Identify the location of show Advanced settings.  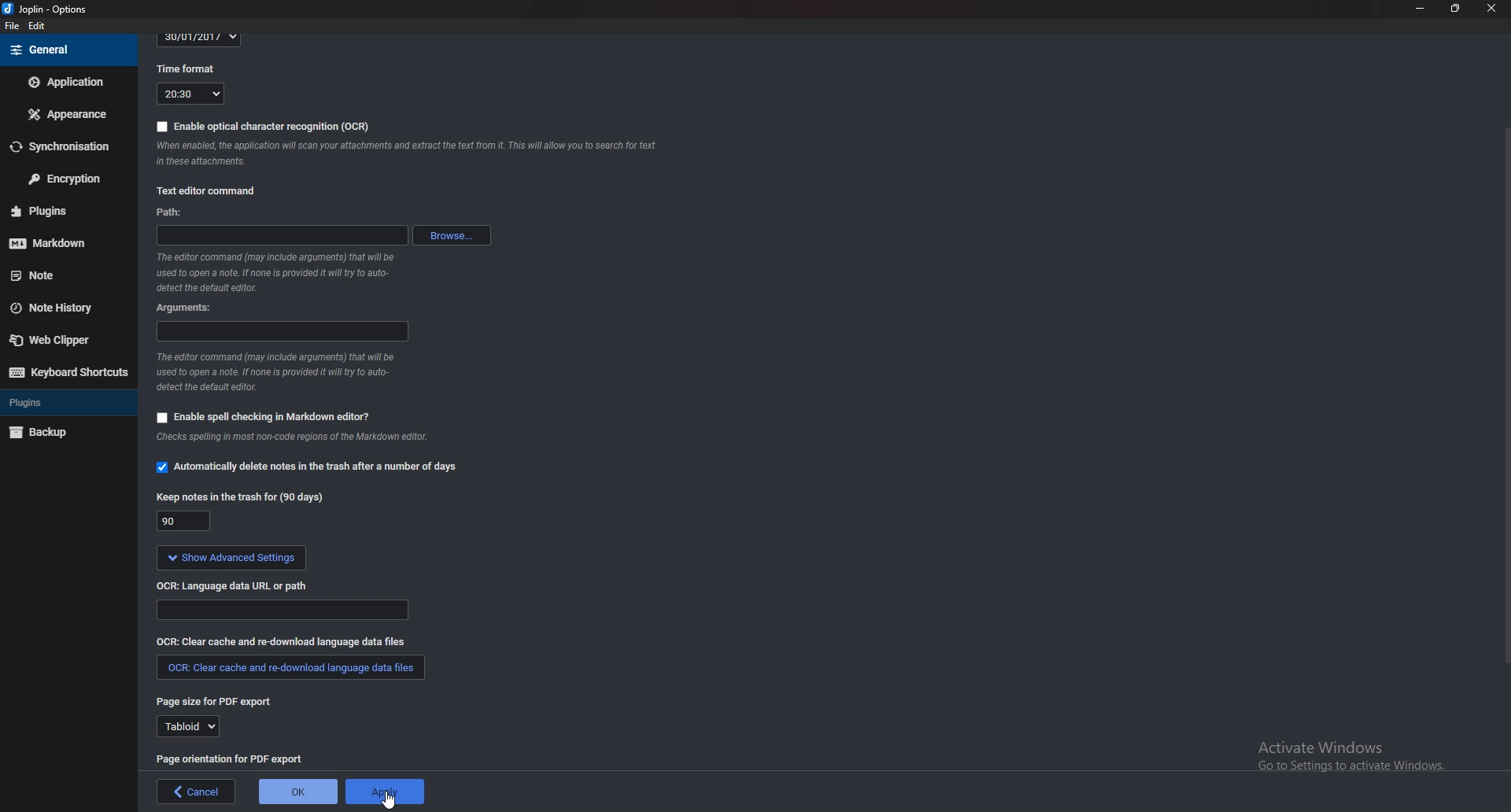
(231, 558).